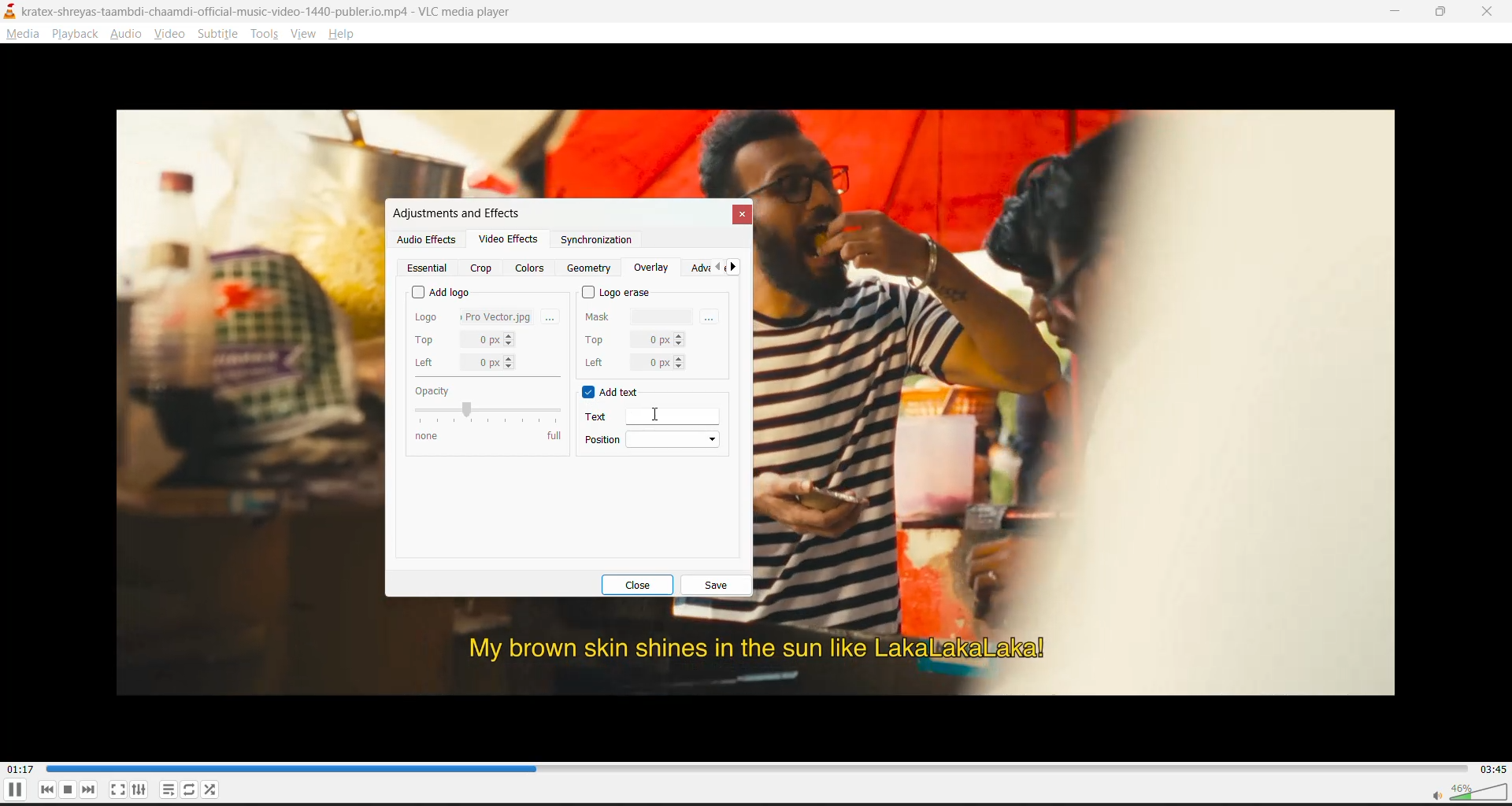 The image size is (1512, 806). Describe the element at coordinates (591, 268) in the screenshot. I see `geometry` at that location.